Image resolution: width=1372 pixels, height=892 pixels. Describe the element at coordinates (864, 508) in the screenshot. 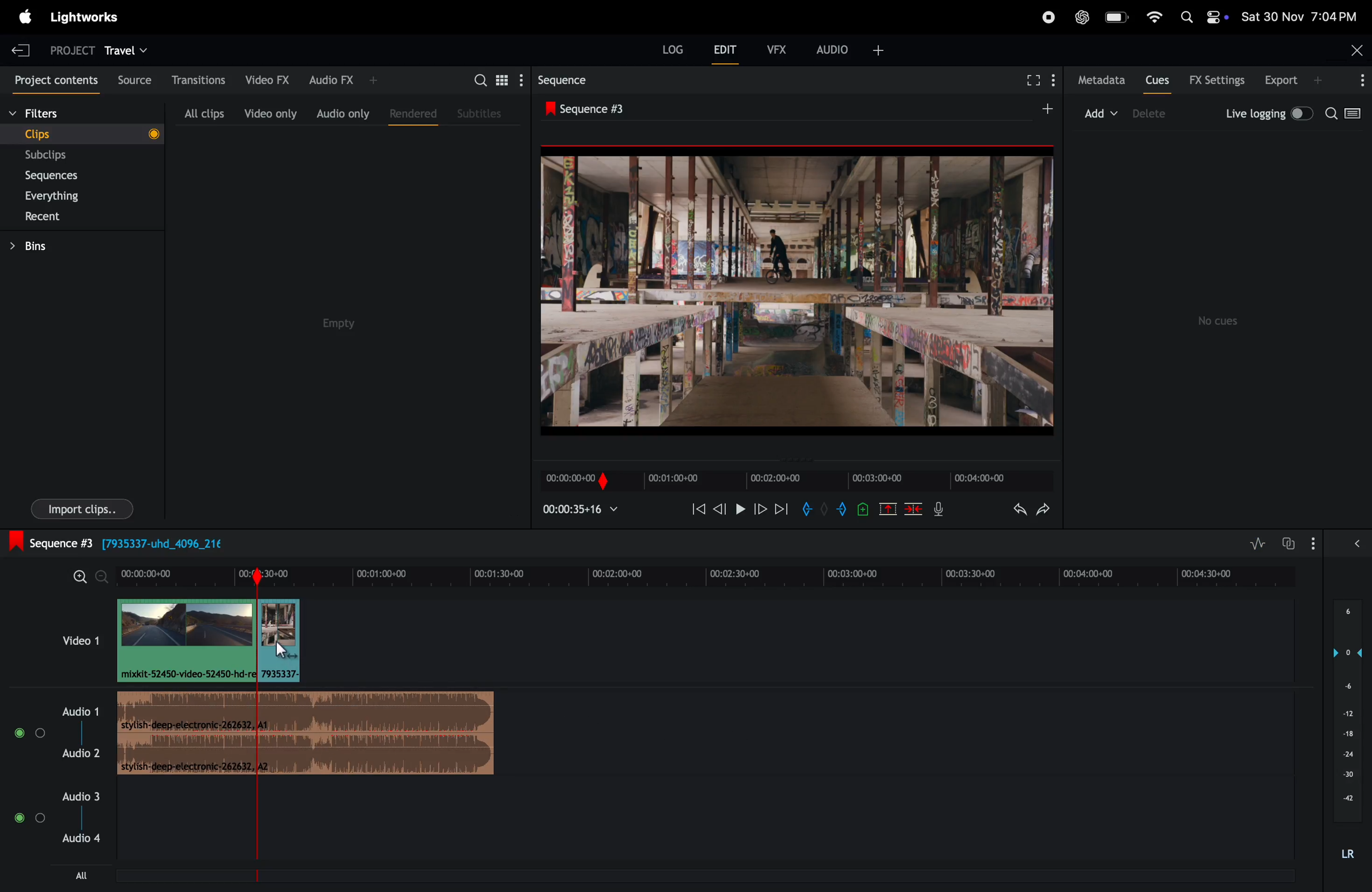

I see `` at that location.